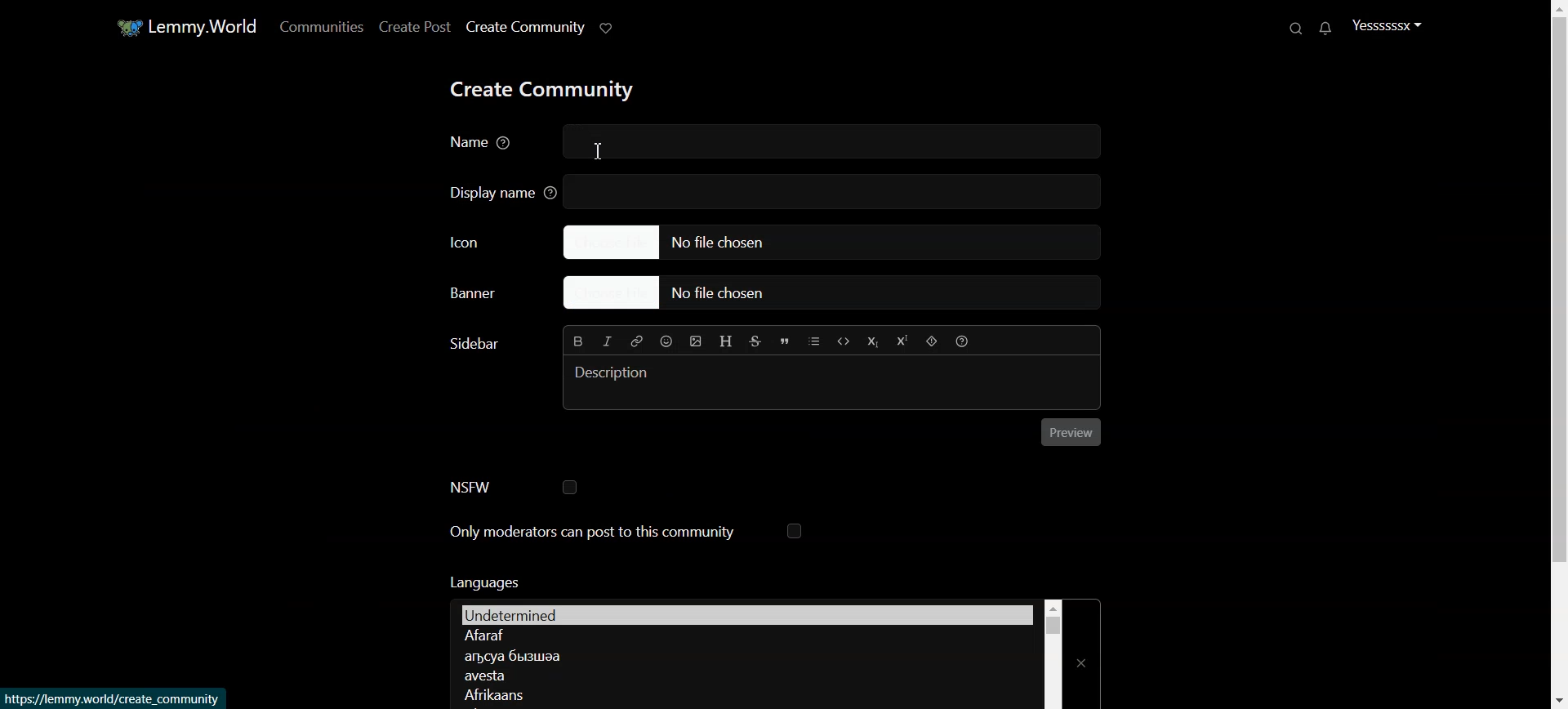 The image size is (1568, 709). I want to click on Language, so click(744, 676).